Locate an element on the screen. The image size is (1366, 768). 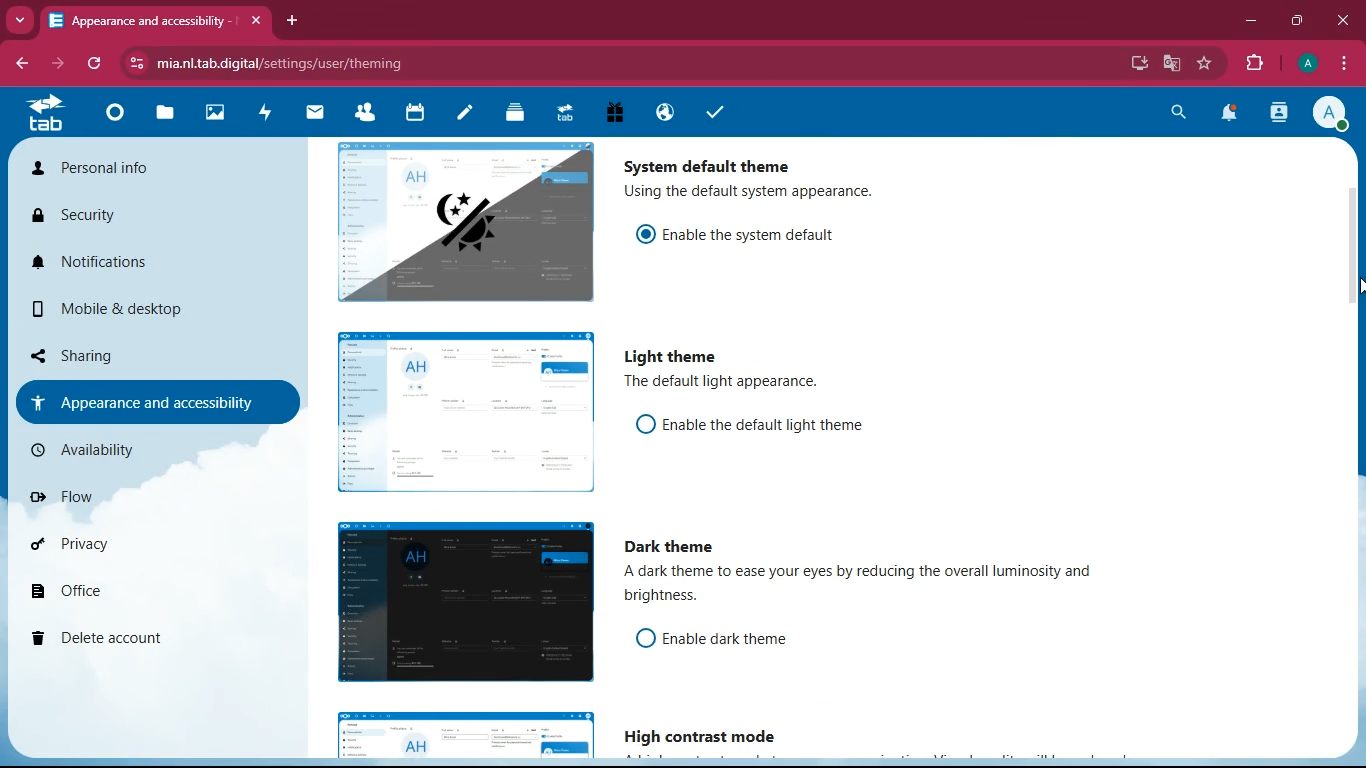
notifications is located at coordinates (1231, 115).